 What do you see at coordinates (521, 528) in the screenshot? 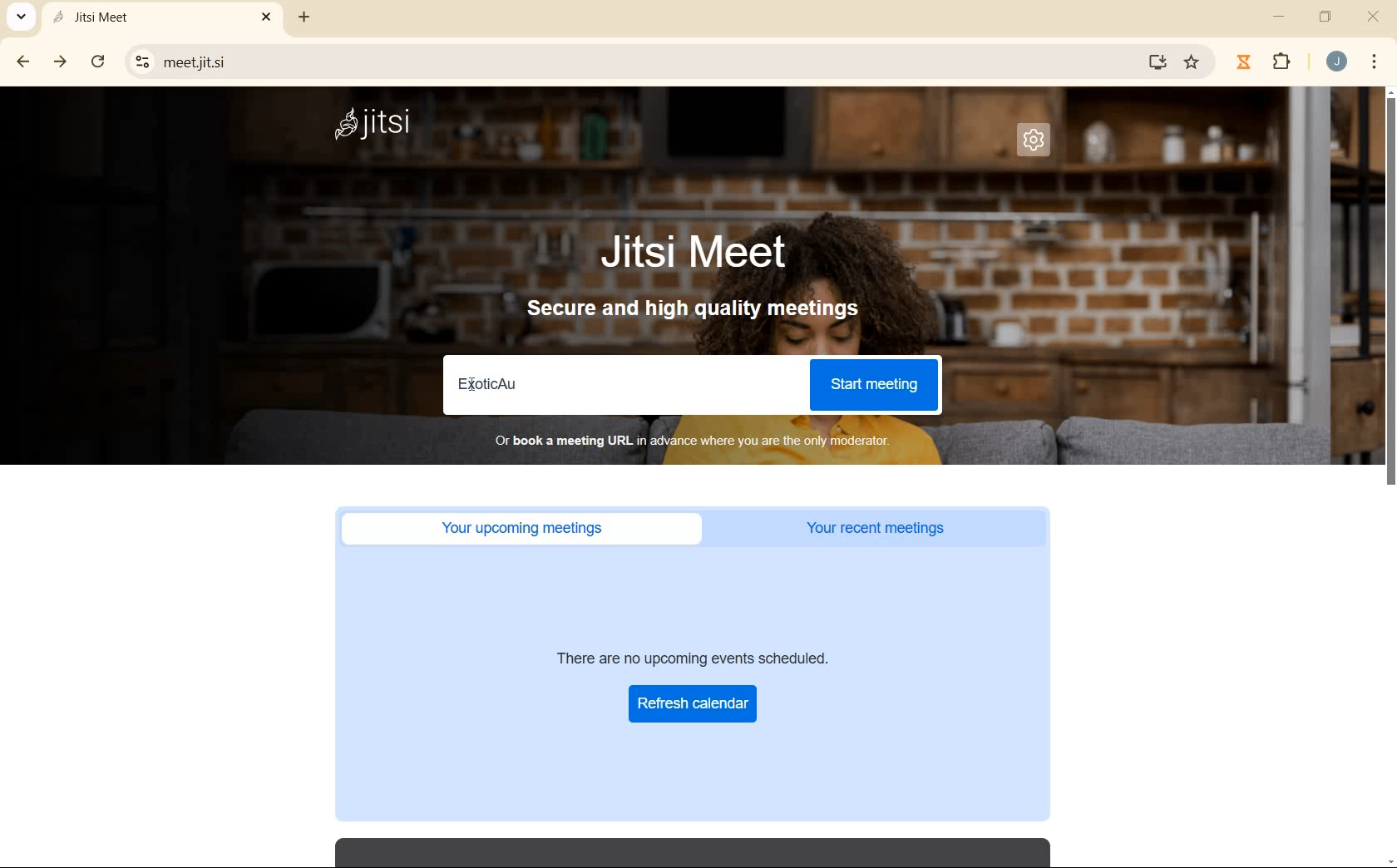
I see `Your upcoming meetings` at bounding box center [521, 528].